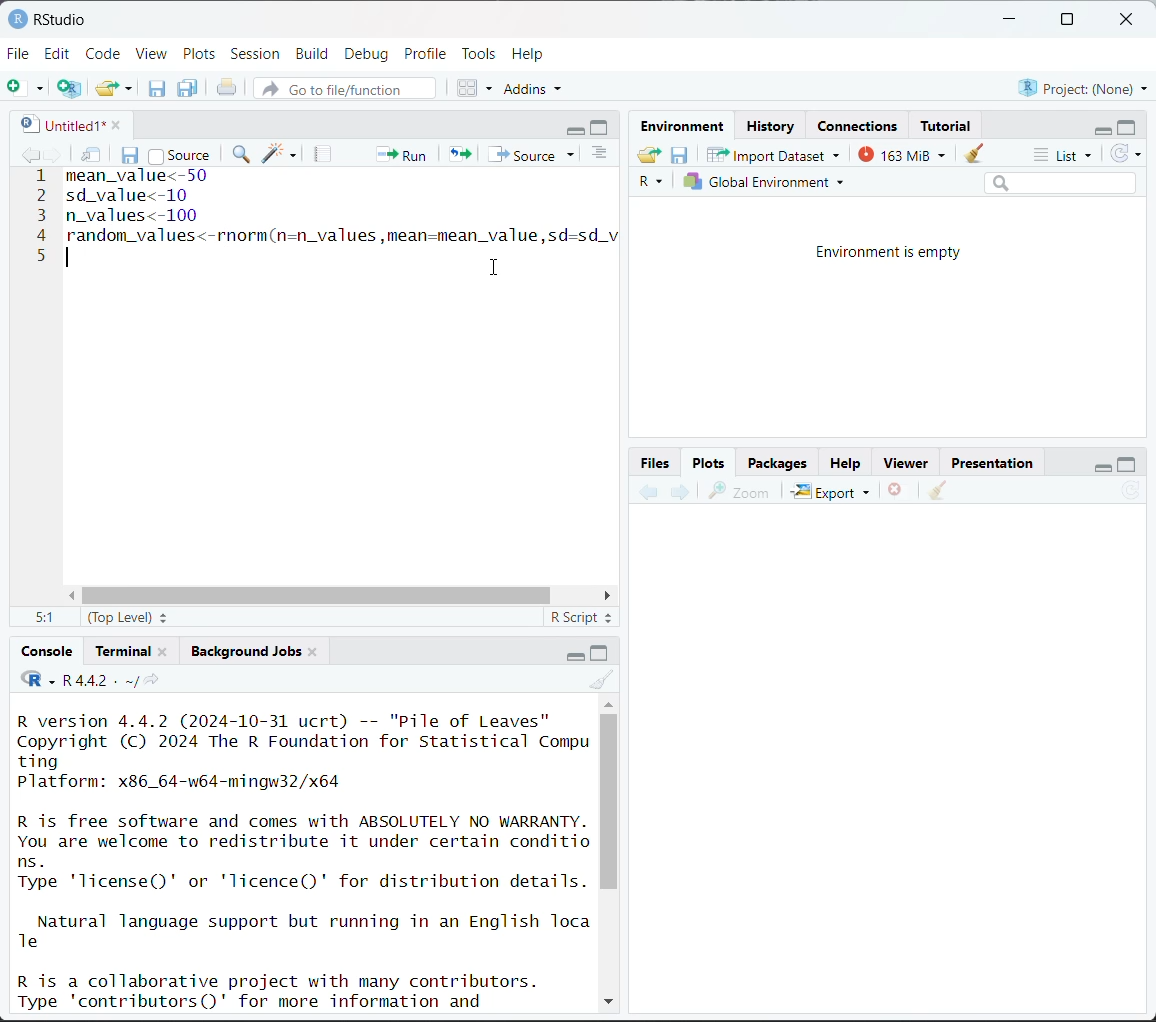 The width and height of the screenshot is (1156, 1022). I want to click on clear all plots, so click(938, 491).